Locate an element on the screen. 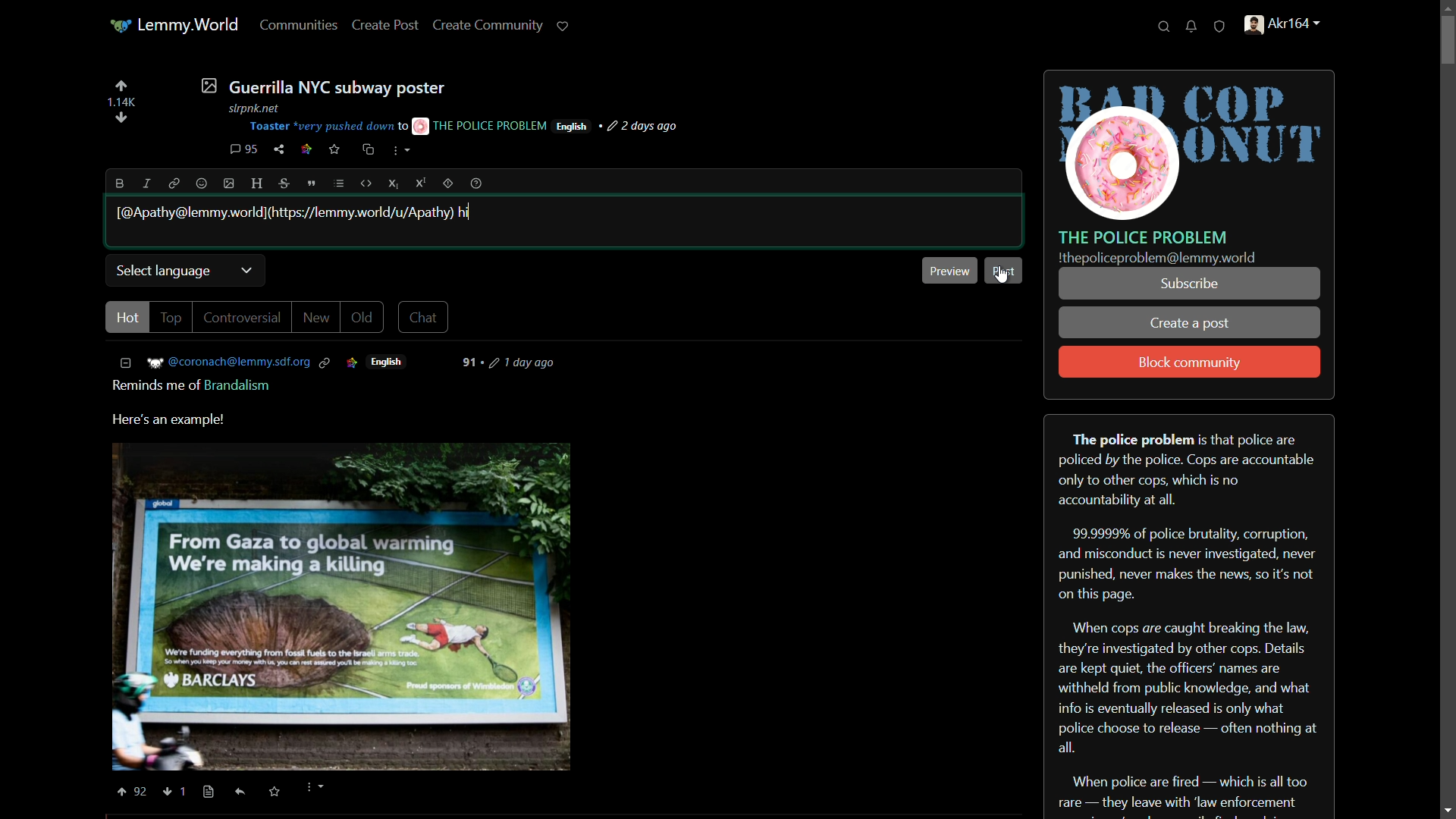 The width and height of the screenshot is (1456, 819). subscript is located at coordinates (395, 184).